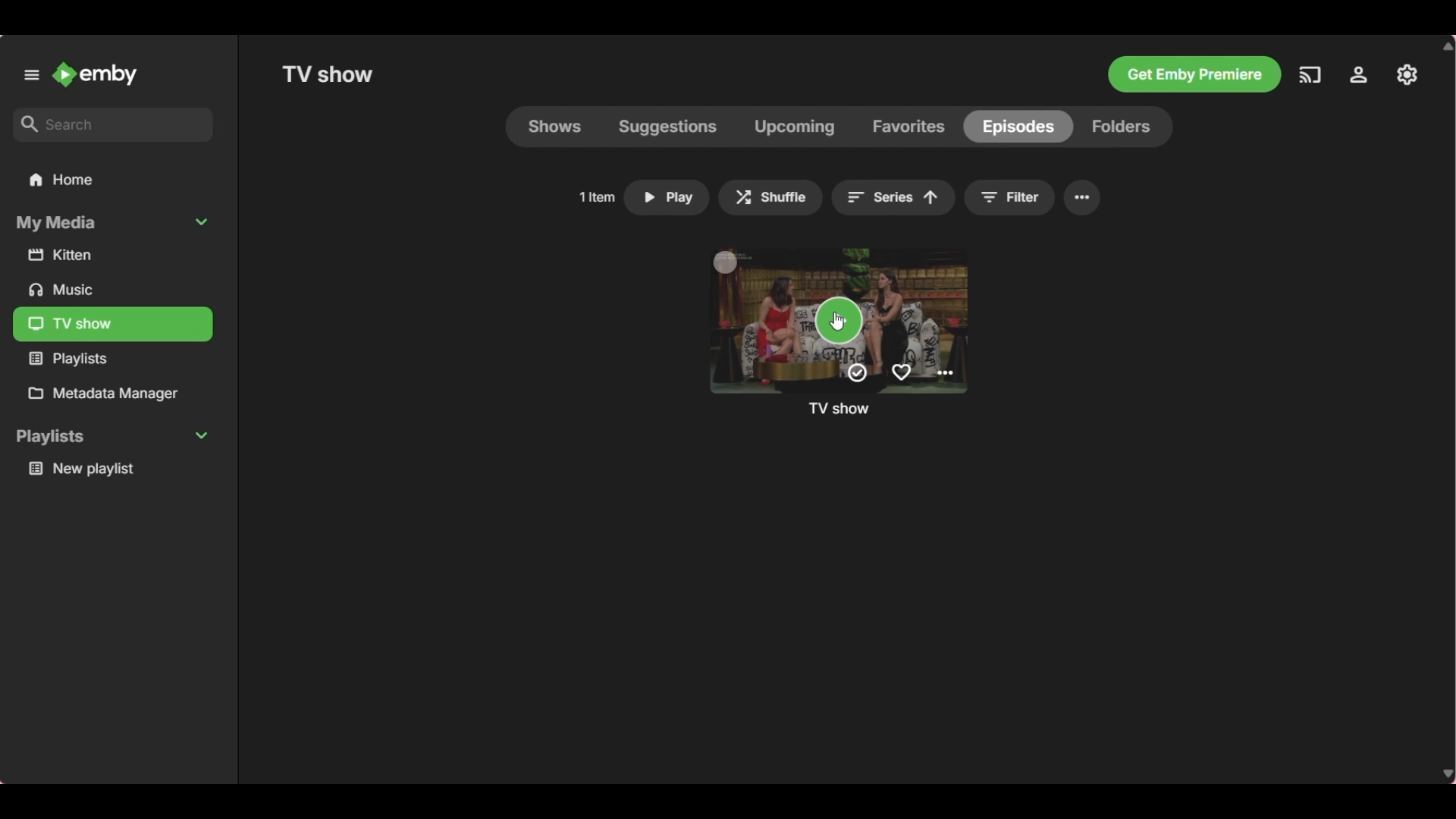 Image resolution: width=1456 pixels, height=819 pixels. Describe the element at coordinates (1195, 74) in the screenshot. I see `Get Emby premiere` at that location.